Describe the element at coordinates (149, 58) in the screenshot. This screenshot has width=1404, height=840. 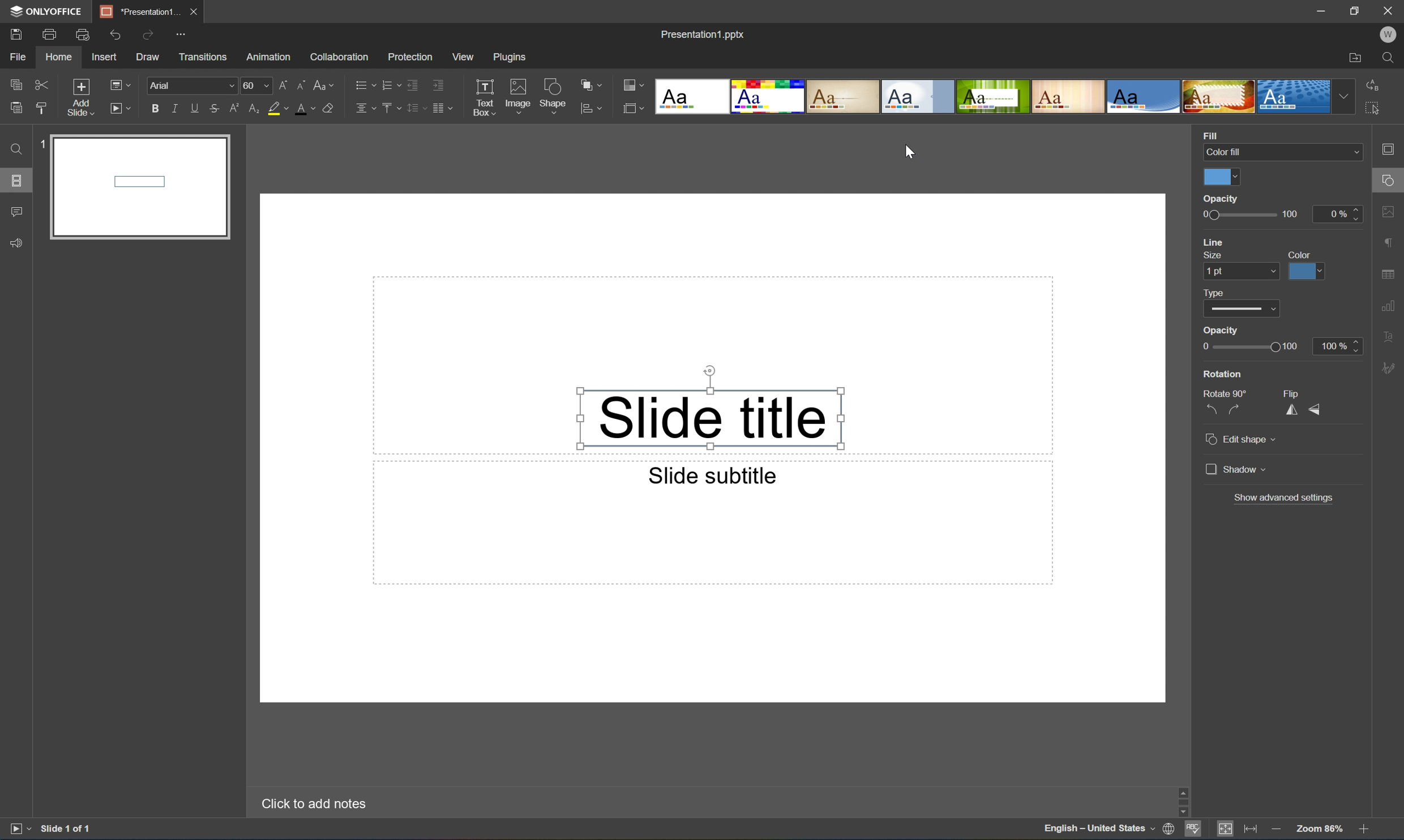
I see `Draw` at that location.